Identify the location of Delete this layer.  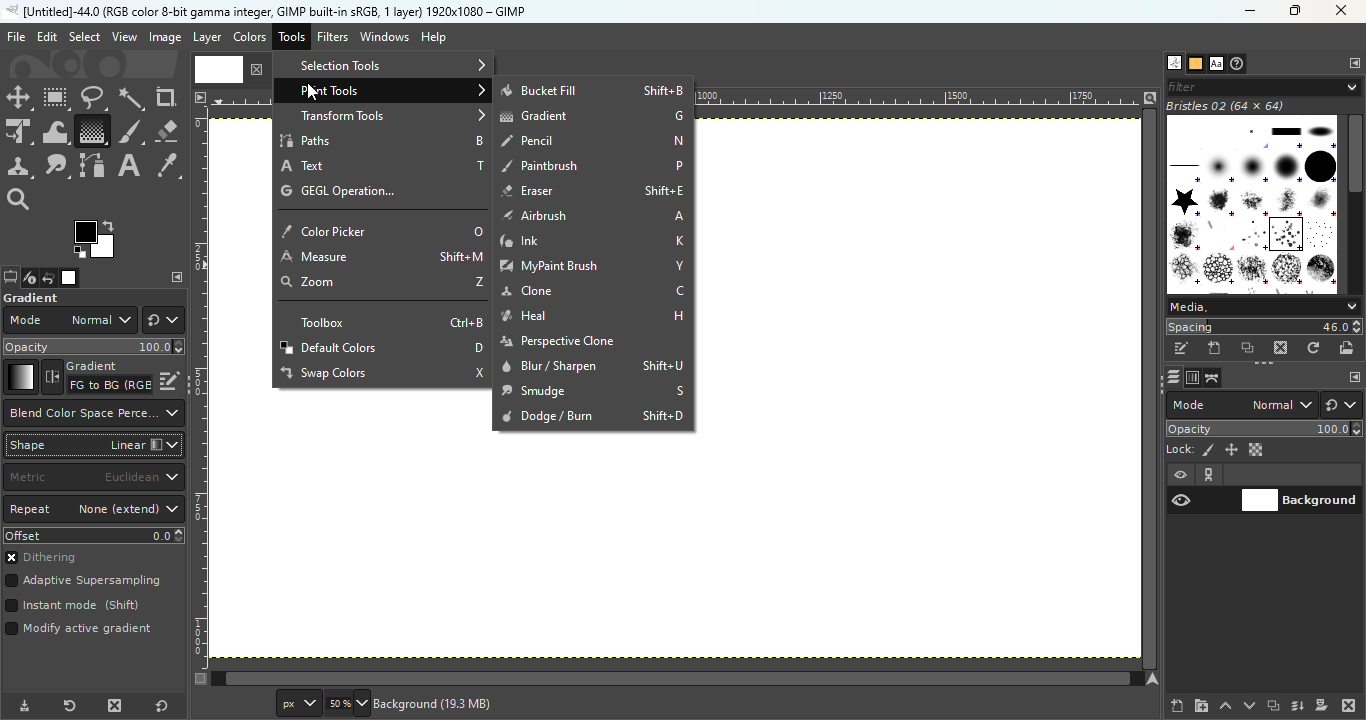
(1350, 706).